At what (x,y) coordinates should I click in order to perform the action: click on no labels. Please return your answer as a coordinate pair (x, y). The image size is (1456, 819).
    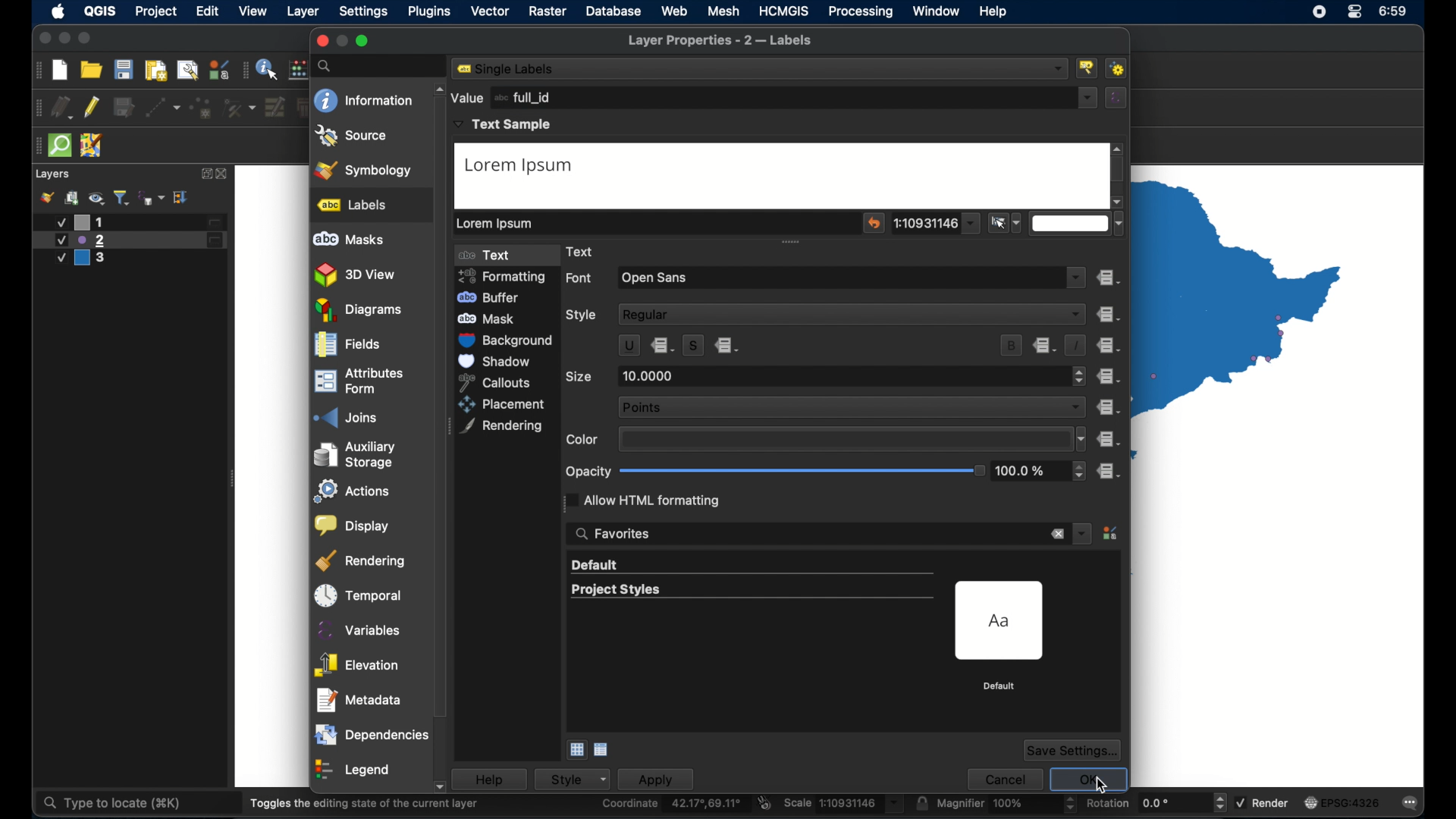
    Looking at the image, I should click on (510, 69).